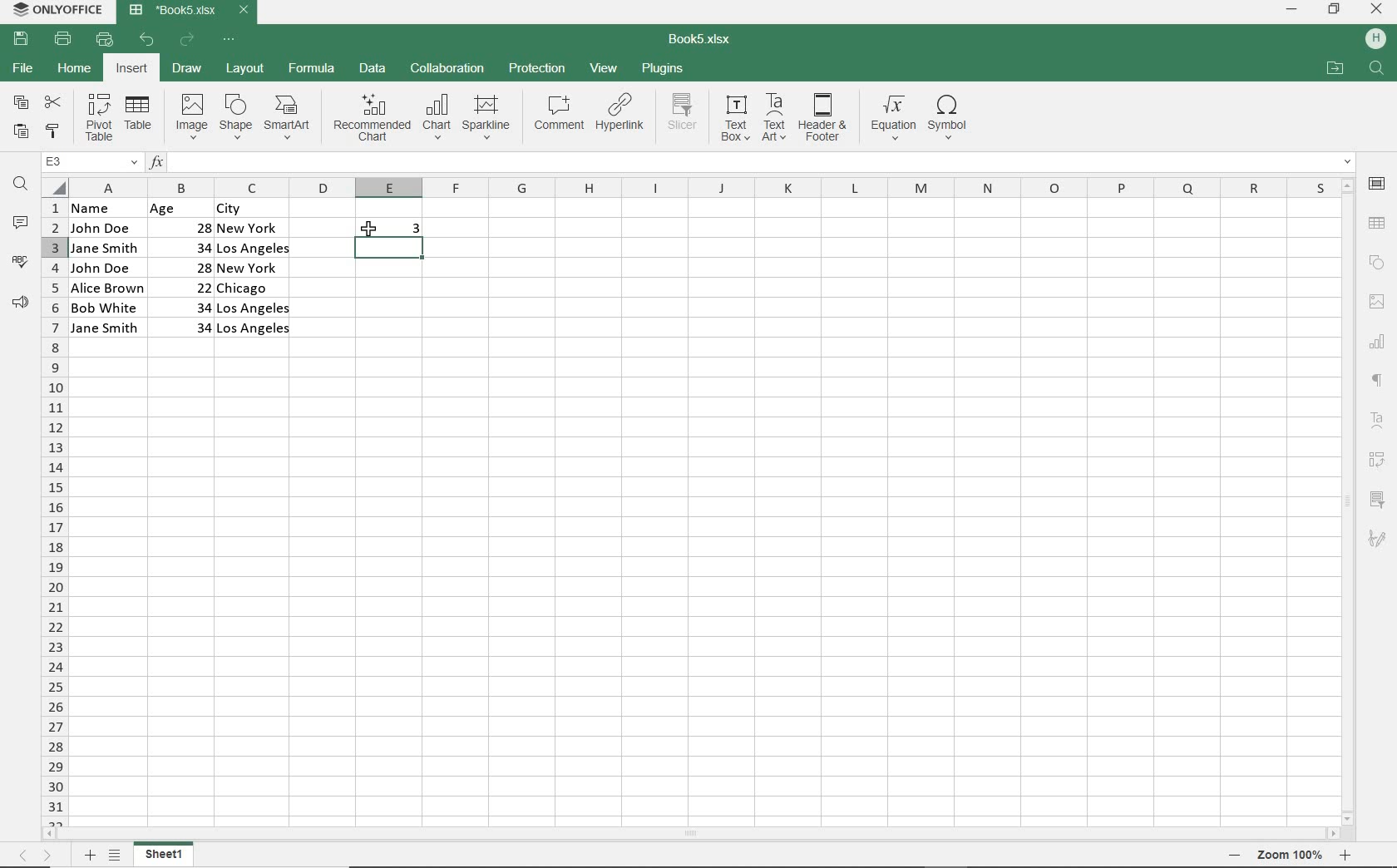 The height and width of the screenshot is (868, 1397). Describe the element at coordinates (54, 101) in the screenshot. I see `CUT` at that location.